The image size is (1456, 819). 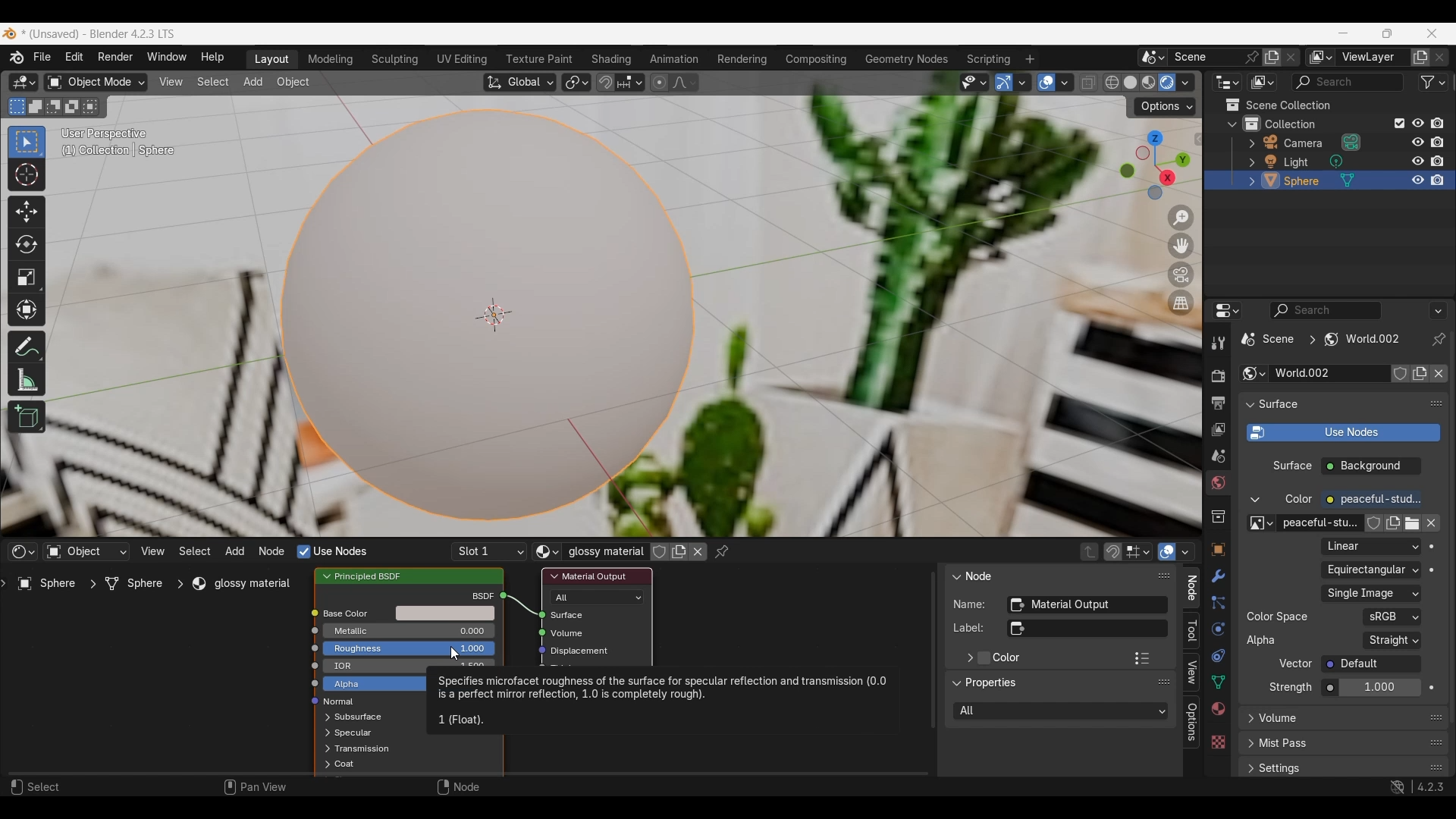 What do you see at coordinates (605, 551) in the screenshot?
I see `Glossy material` at bounding box center [605, 551].